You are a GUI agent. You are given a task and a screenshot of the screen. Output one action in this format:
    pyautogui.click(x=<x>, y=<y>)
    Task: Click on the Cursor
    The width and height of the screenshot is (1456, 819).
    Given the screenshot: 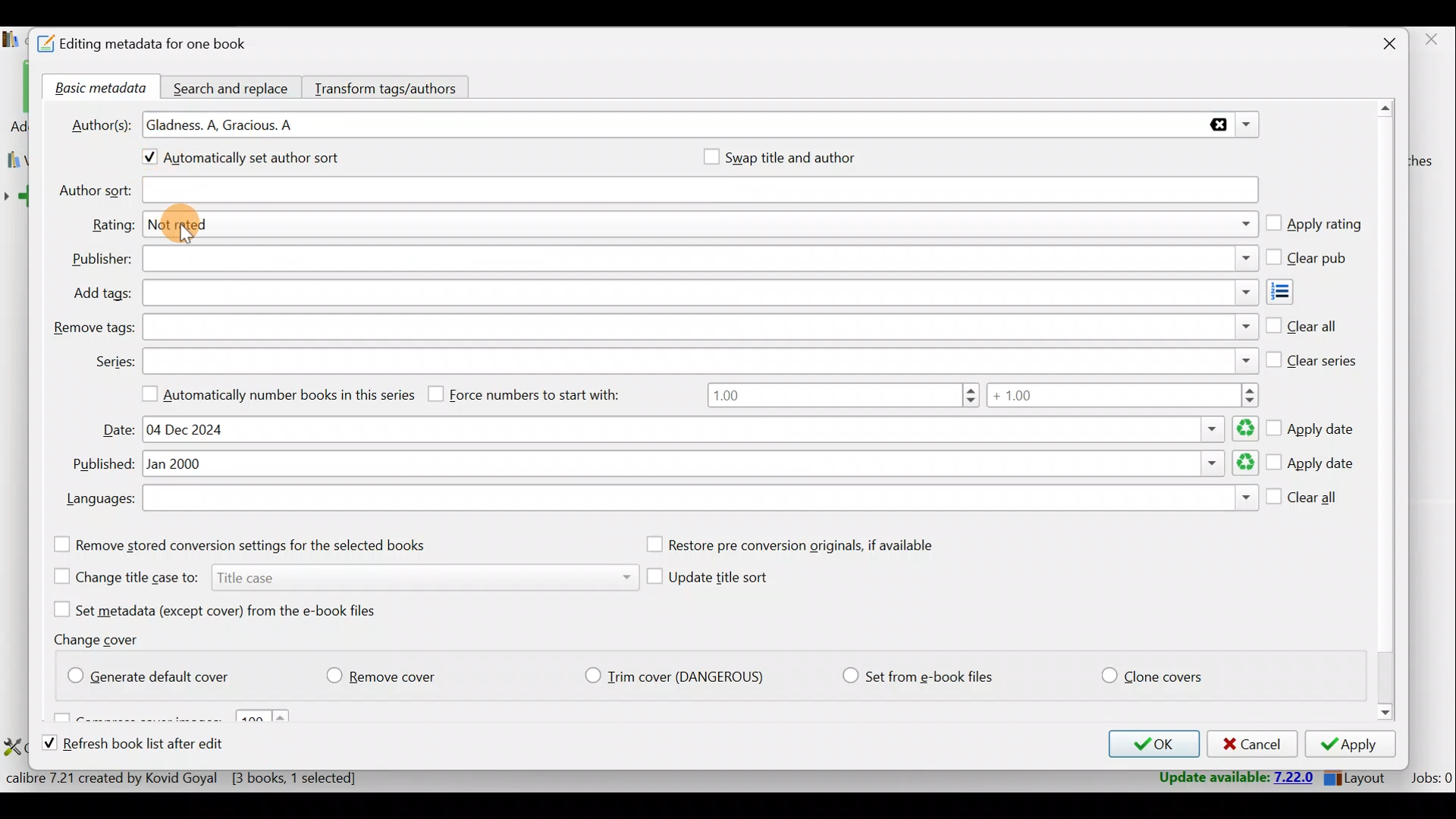 What is the action you would take?
    pyautogui.click(x=190, y=237)
    